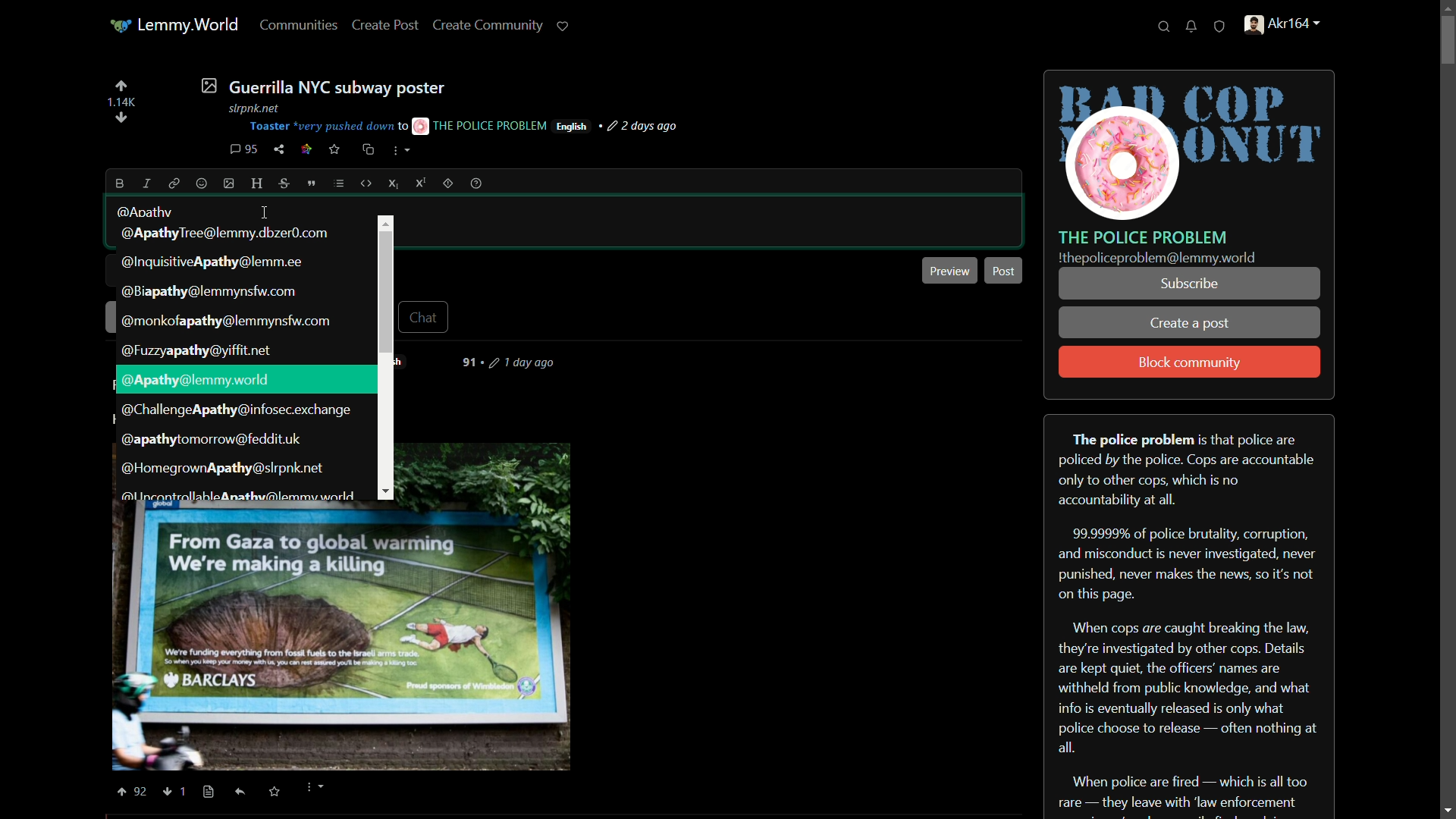  I want to click on cursor, so click(262, 214).